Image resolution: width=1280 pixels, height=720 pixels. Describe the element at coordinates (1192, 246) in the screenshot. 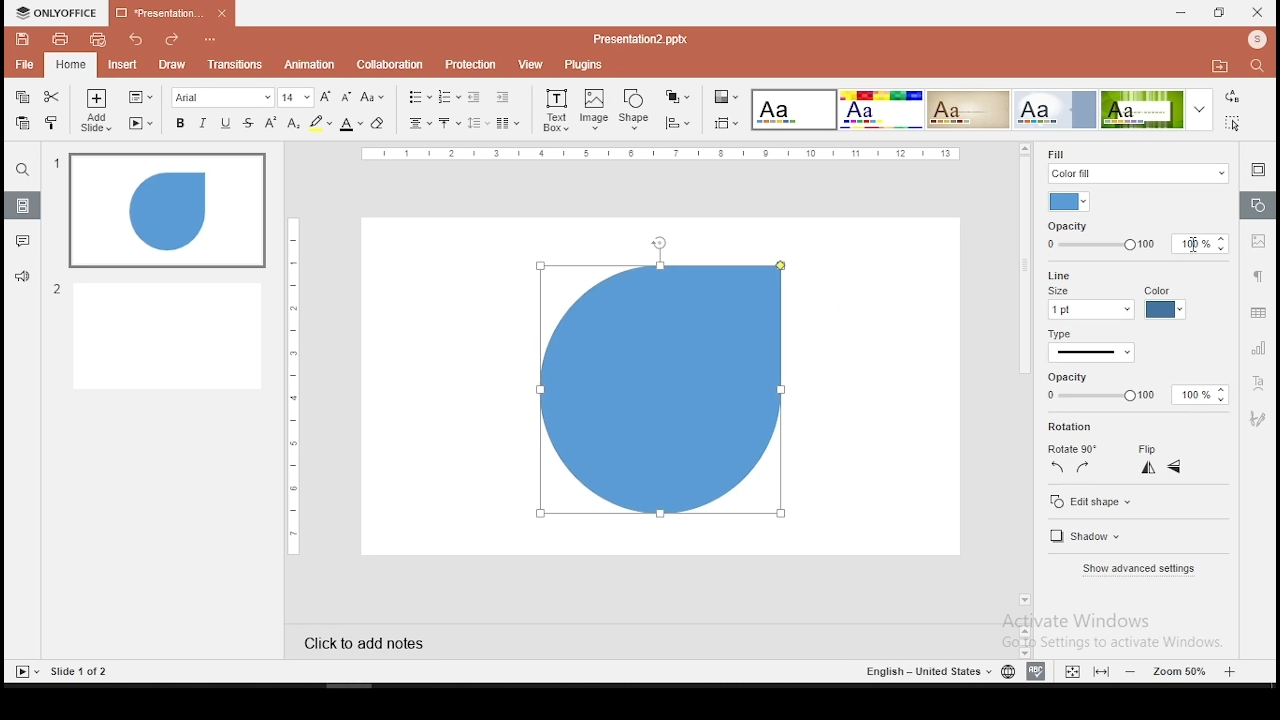

I see `mouse pointer` at that location.